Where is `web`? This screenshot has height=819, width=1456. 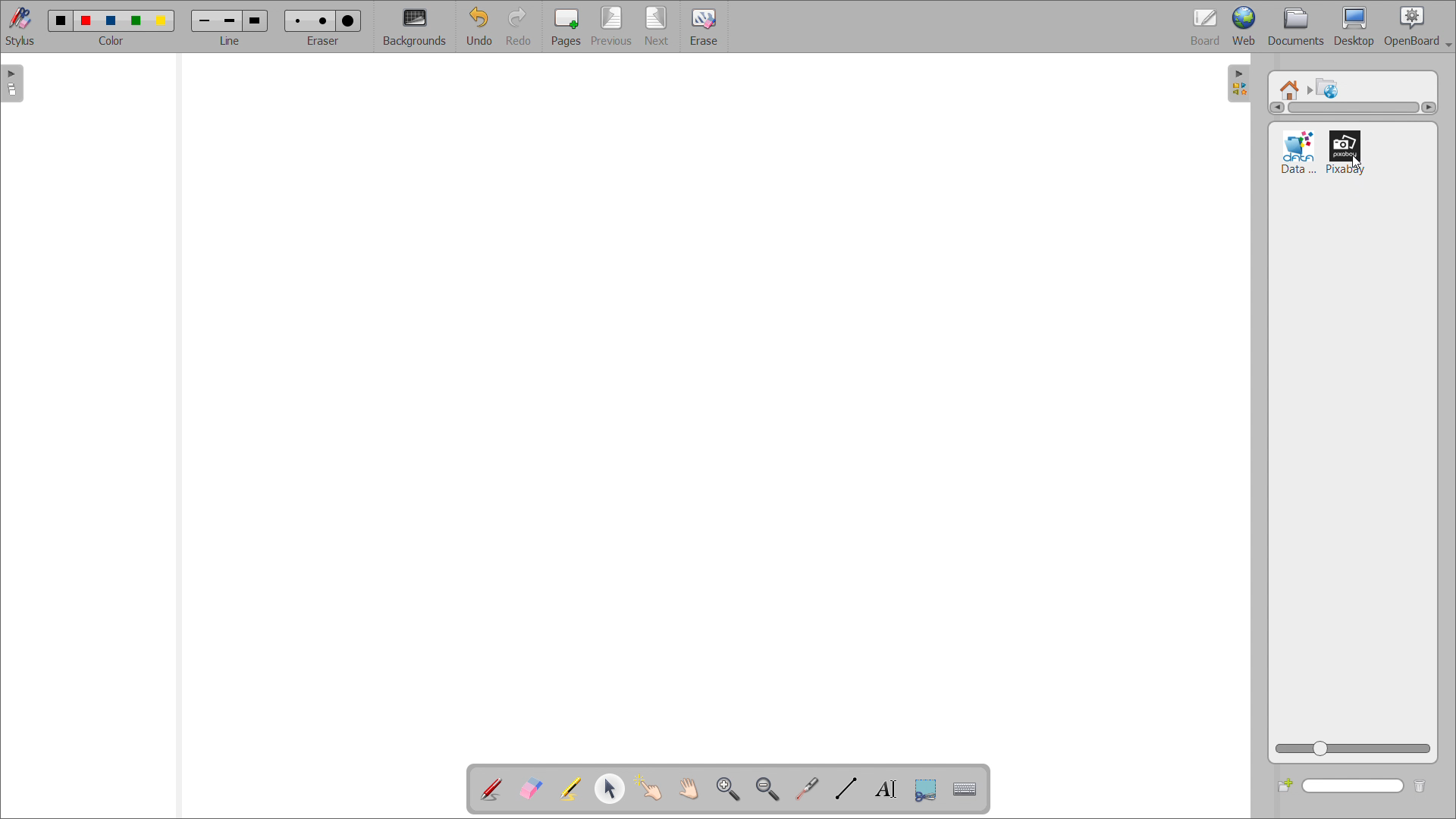
web is located at coordinates (1244, 27).